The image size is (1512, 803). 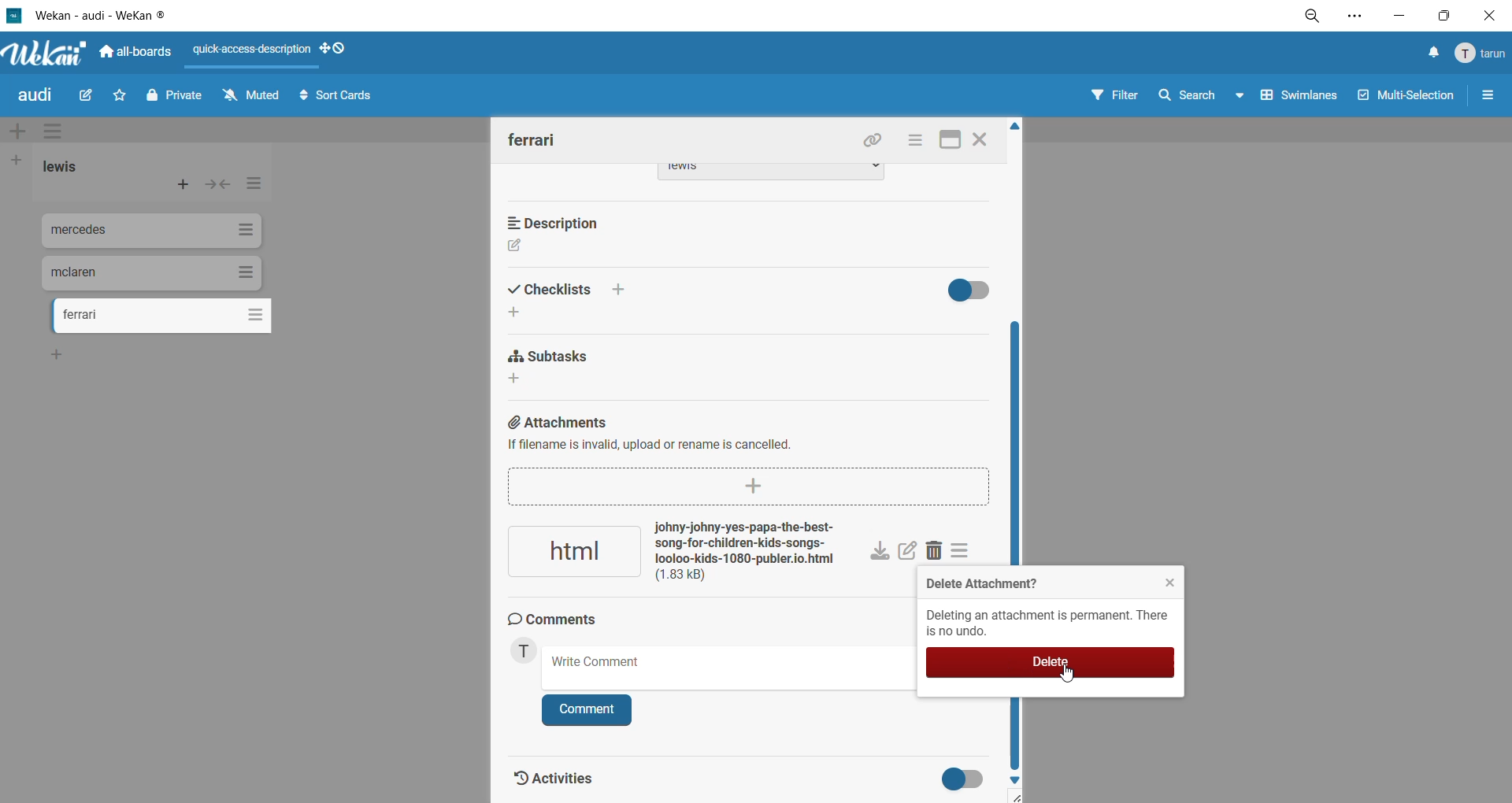 What do you see at coordinates (976, 290) in the screenshot?
I see `hide completed checklist` at bounding box center [976, 290].